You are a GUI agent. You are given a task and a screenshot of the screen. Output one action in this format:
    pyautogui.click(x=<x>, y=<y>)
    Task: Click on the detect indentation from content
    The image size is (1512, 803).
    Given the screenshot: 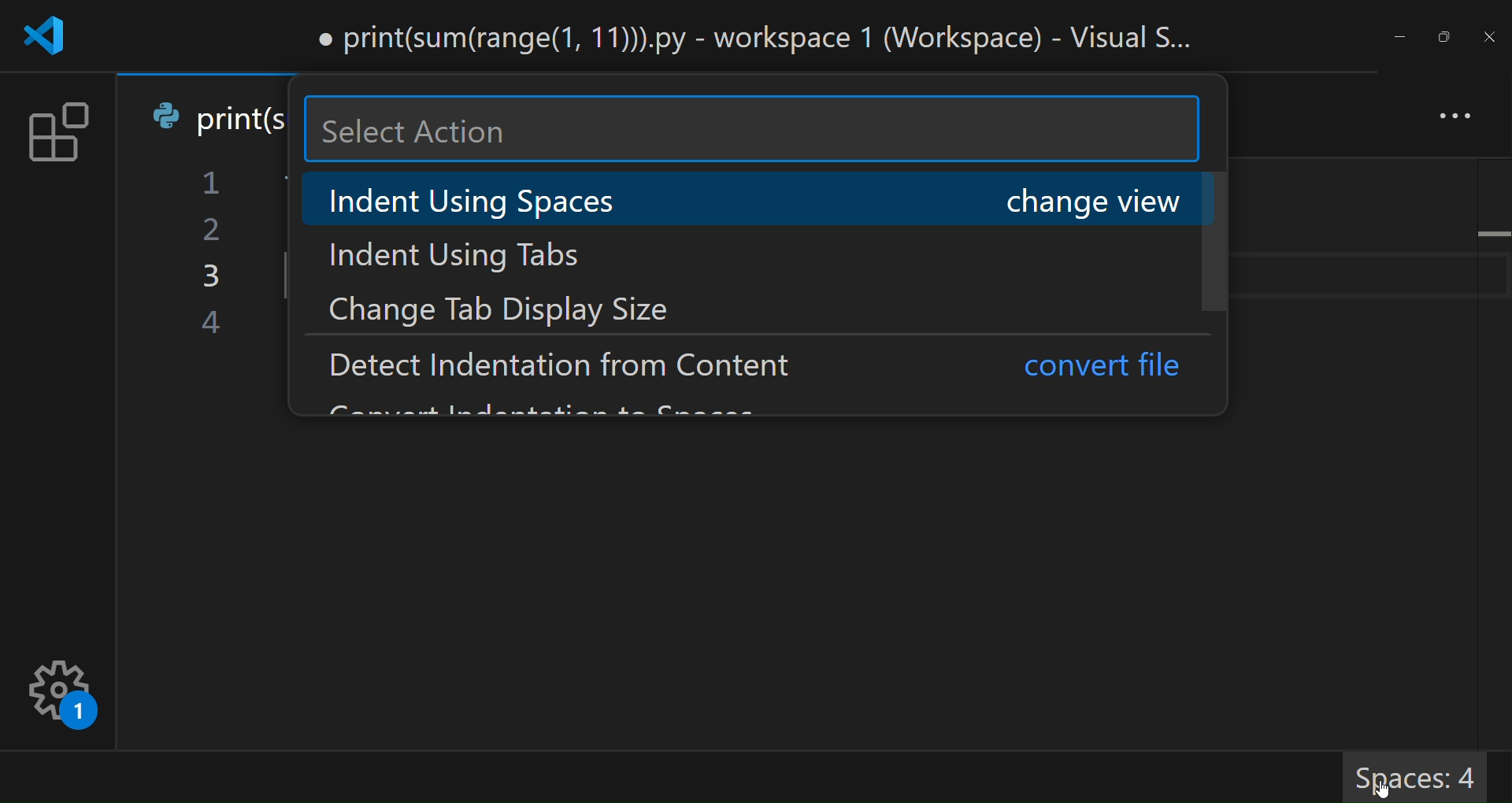 What is the action you would take?
    pyautogui.click(x=558, y=368)
    